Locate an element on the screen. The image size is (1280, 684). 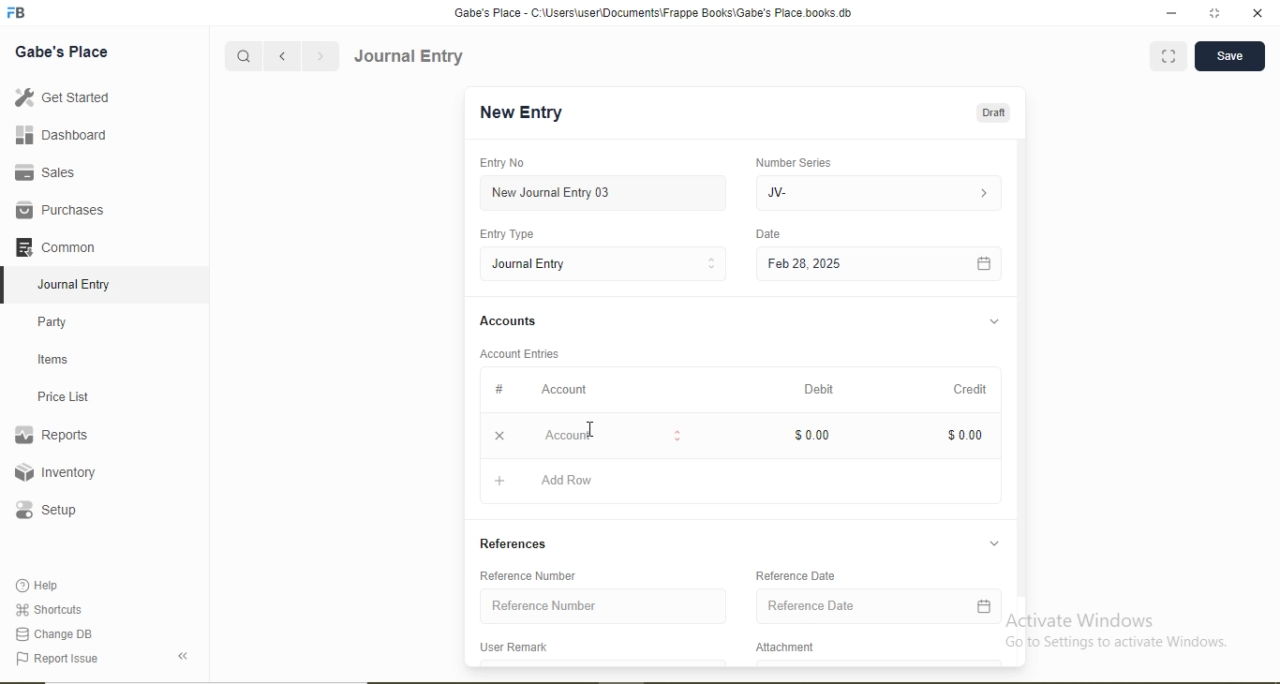
User Remark is located at coordinates (513, 646).